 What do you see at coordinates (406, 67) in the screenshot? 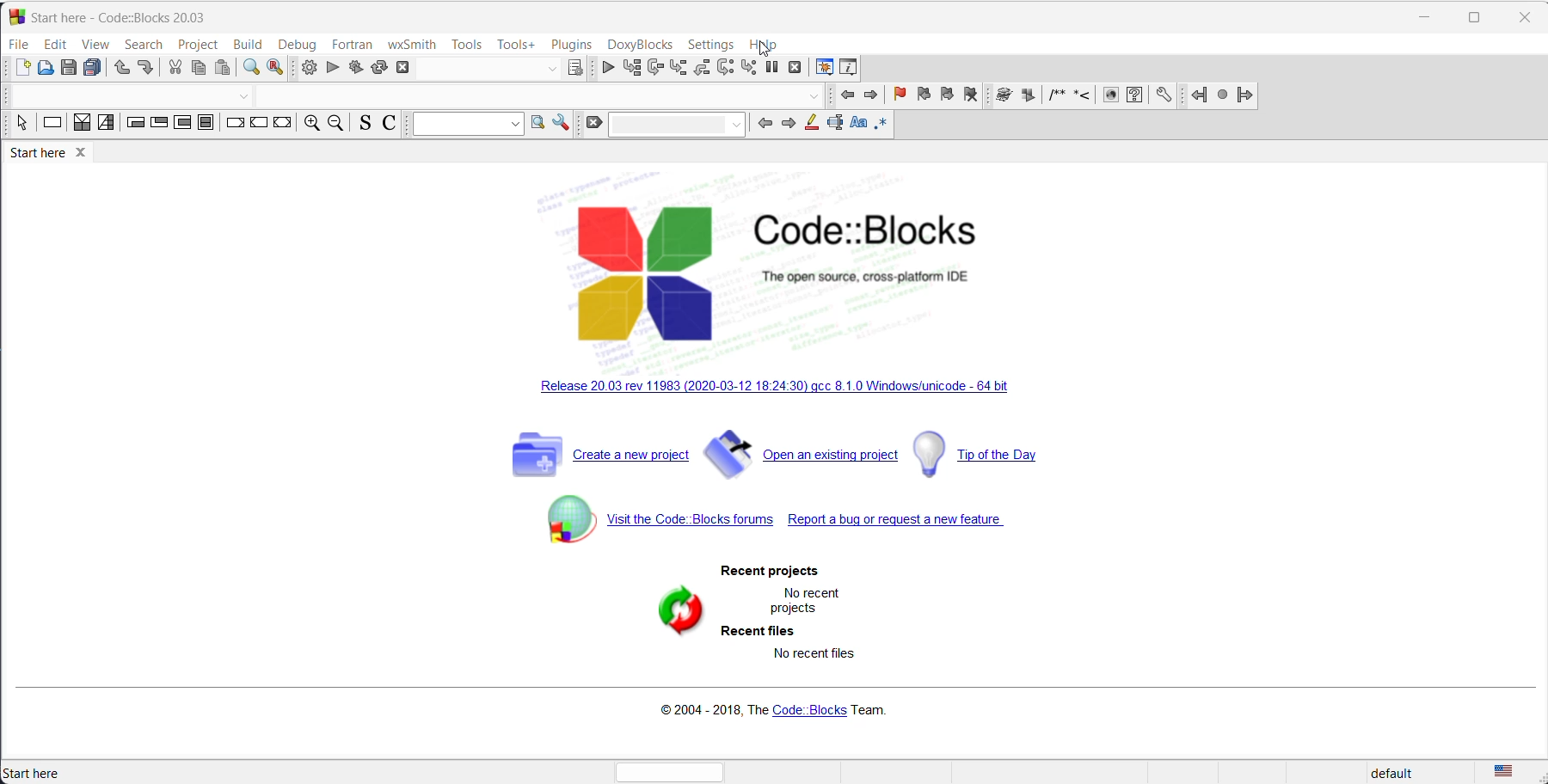
I see `close` at bounding box center [406, 67].